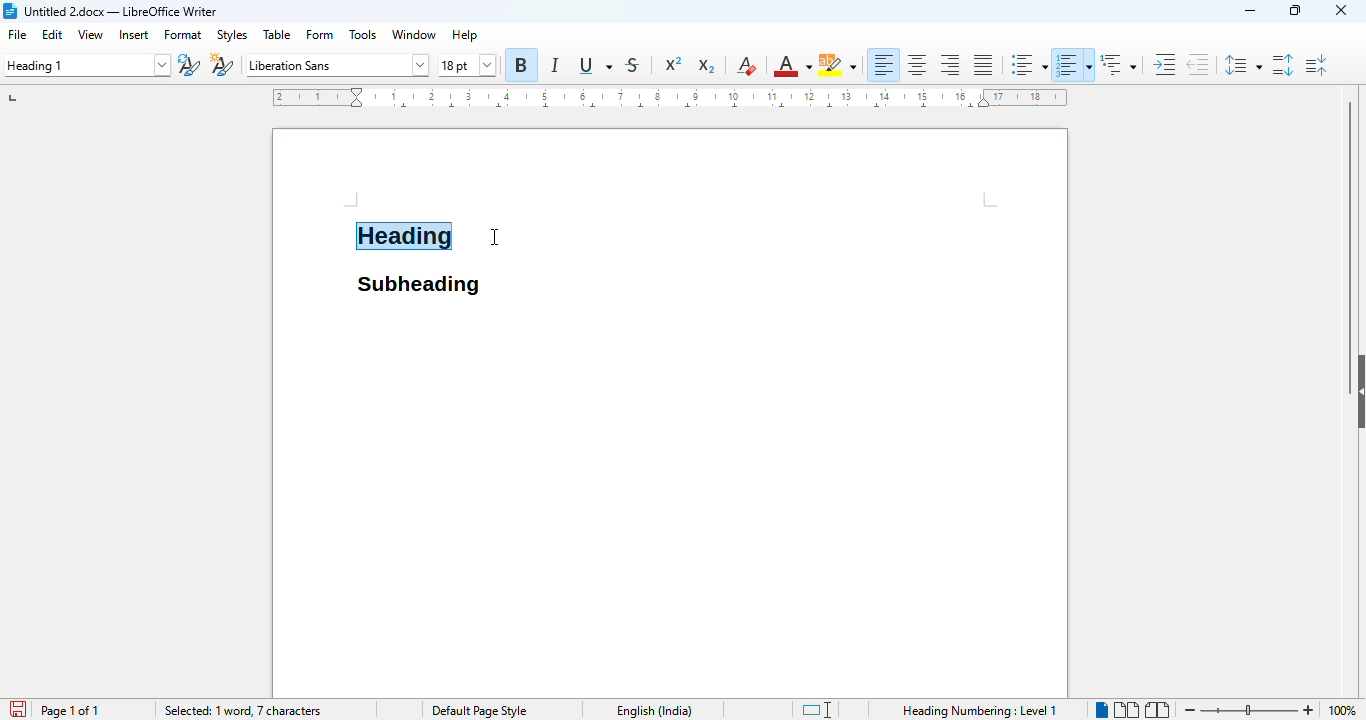 The height and width of the screenshot is (720, 1366). I want to click on minimize, so click(1251, 11).